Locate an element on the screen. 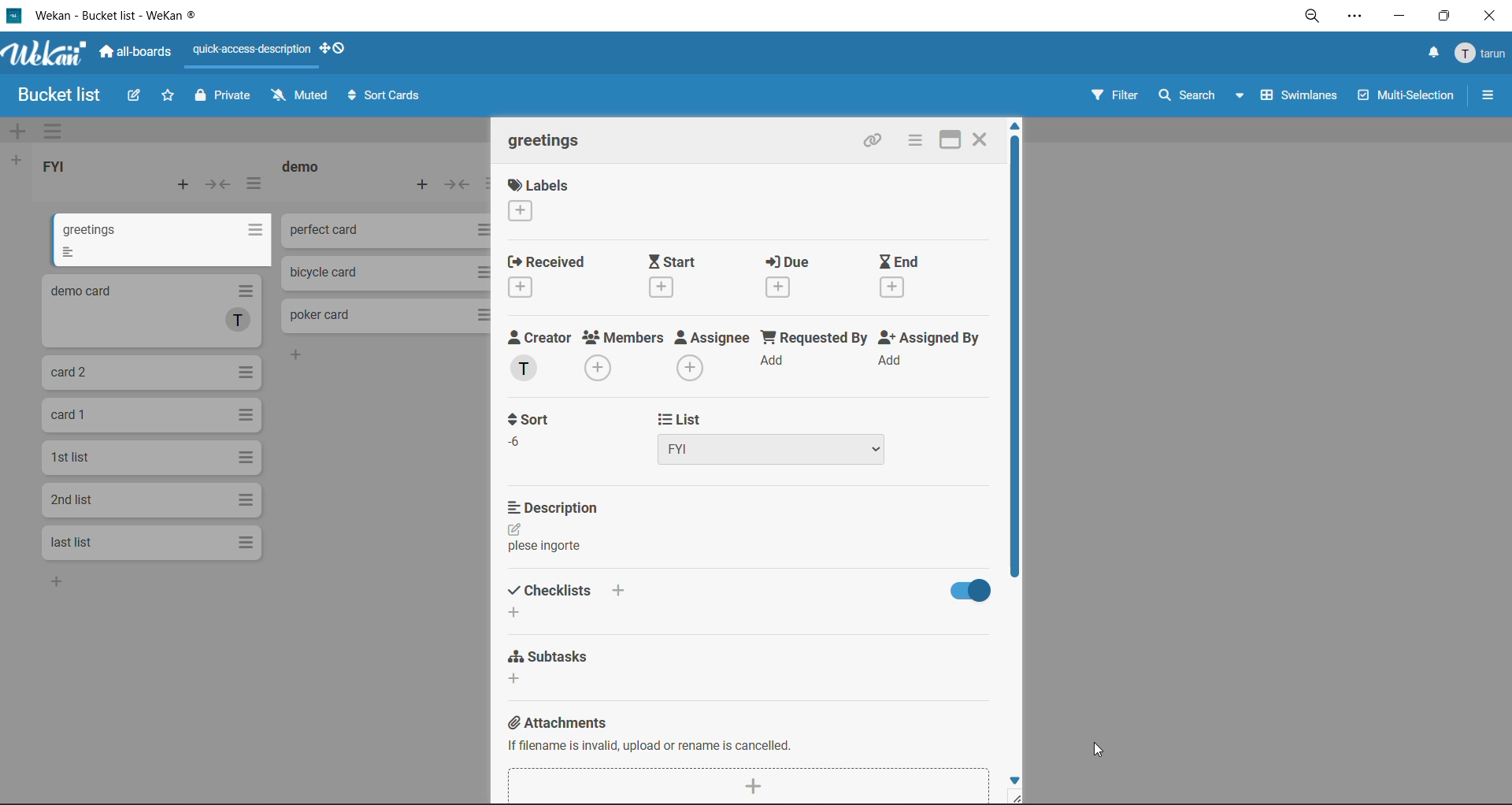  hide checklist options is located at coordinates (965, 592).